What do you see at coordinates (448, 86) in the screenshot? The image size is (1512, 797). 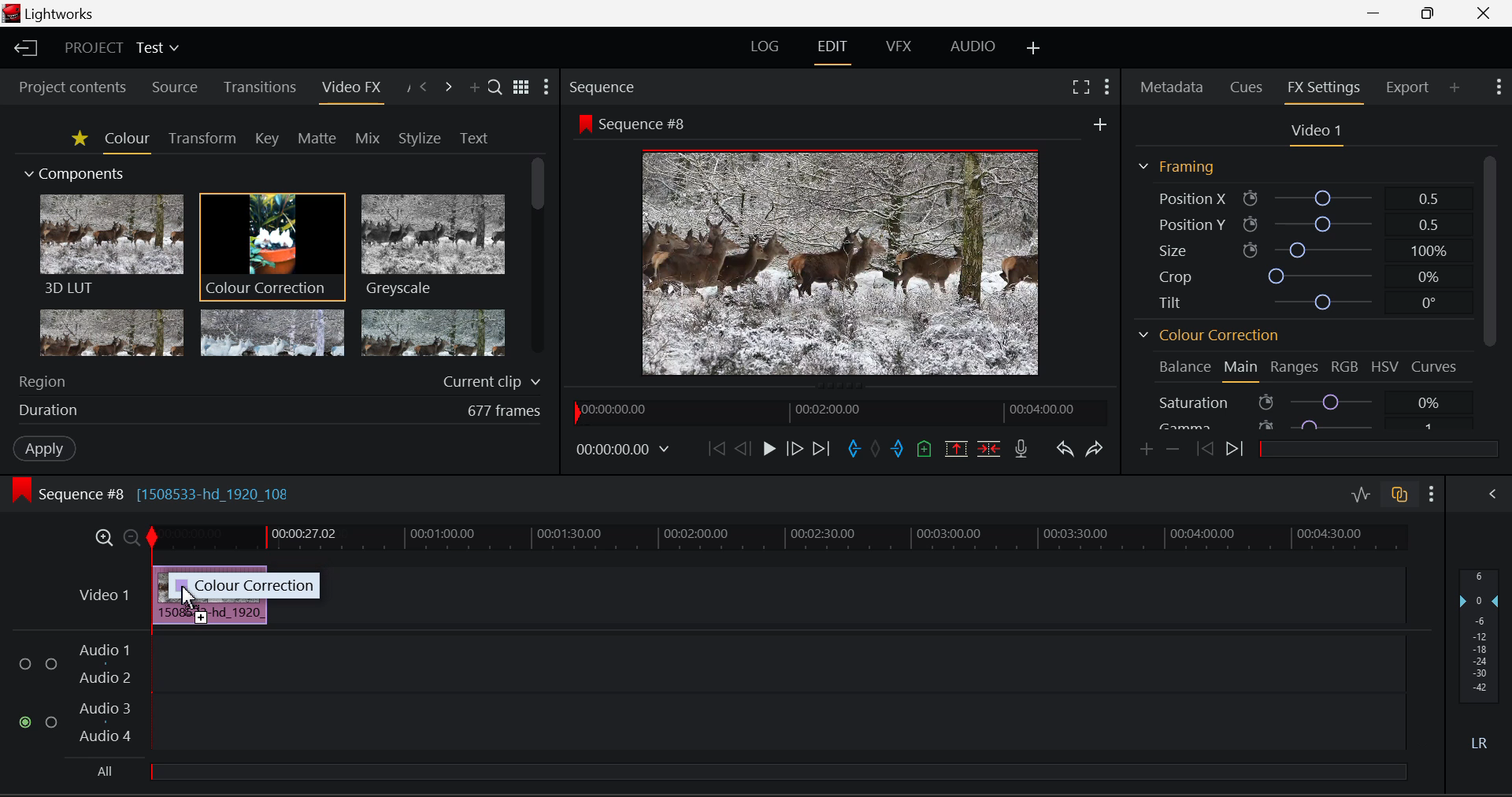 I see `Next Panel` at bounding box center [448, 86].